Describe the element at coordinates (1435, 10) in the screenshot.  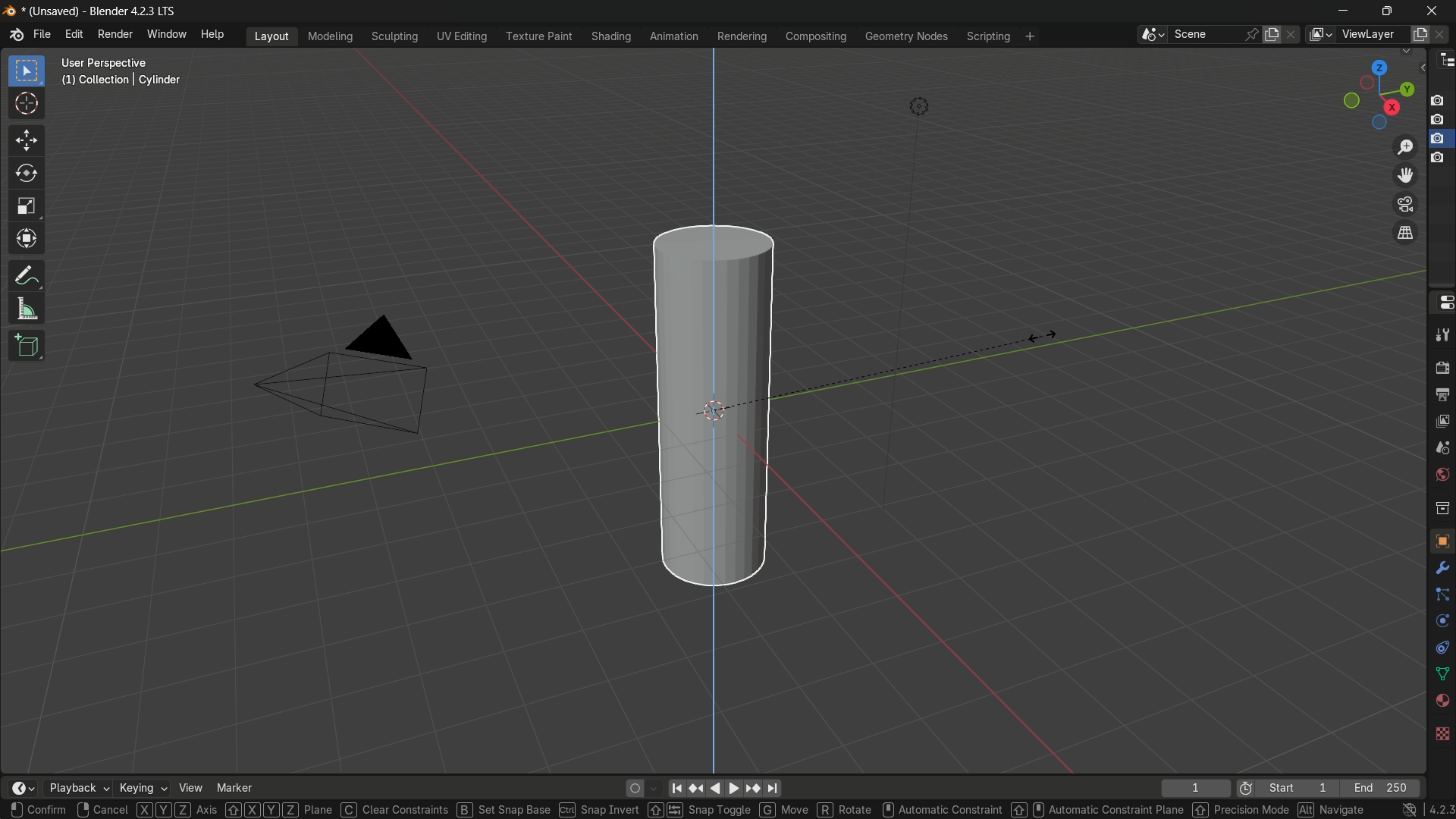
I see `close app` at that location.